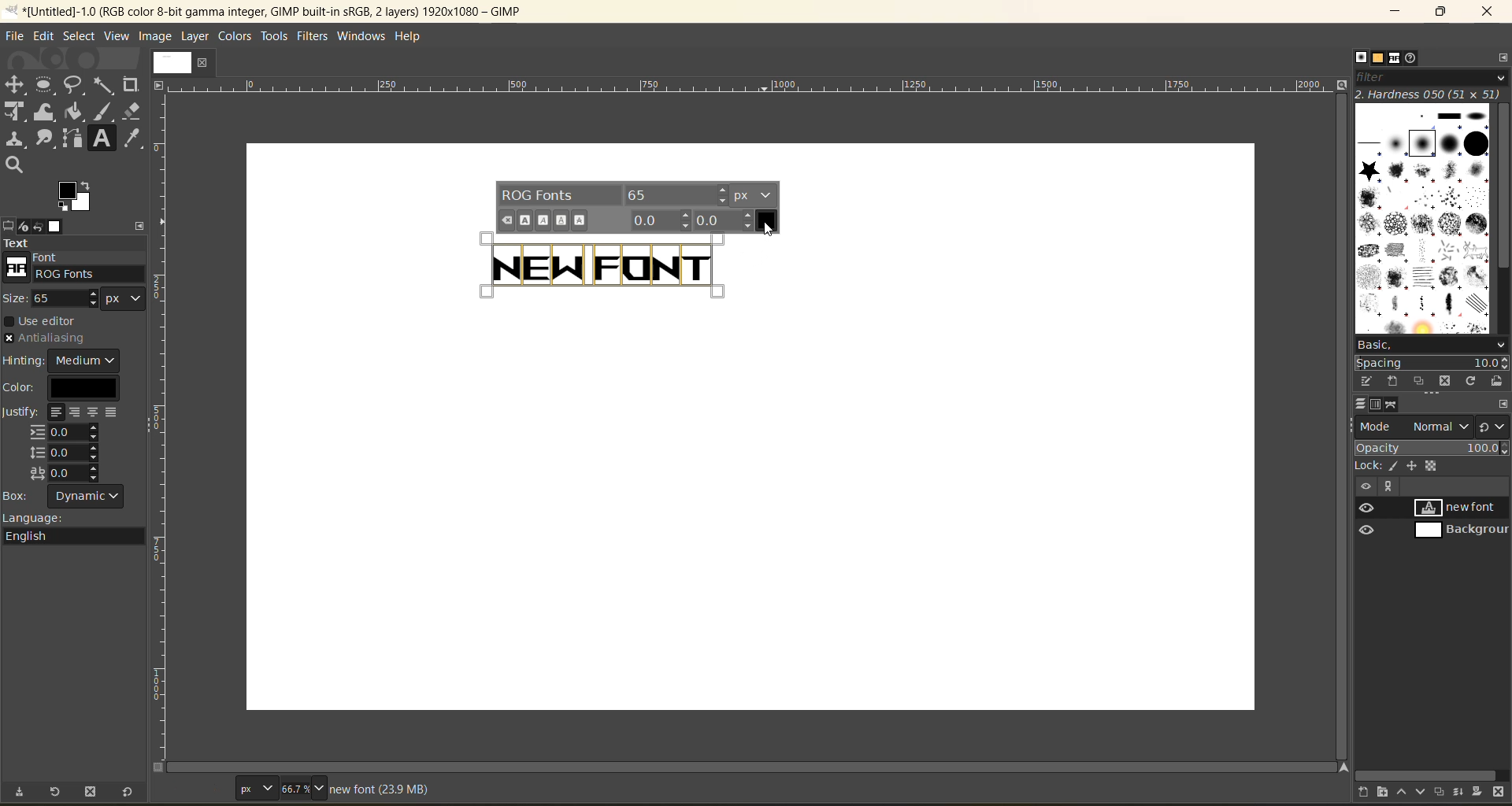 This screenshot has width=1512, height=806. I want to click on select, so click(80, 35).